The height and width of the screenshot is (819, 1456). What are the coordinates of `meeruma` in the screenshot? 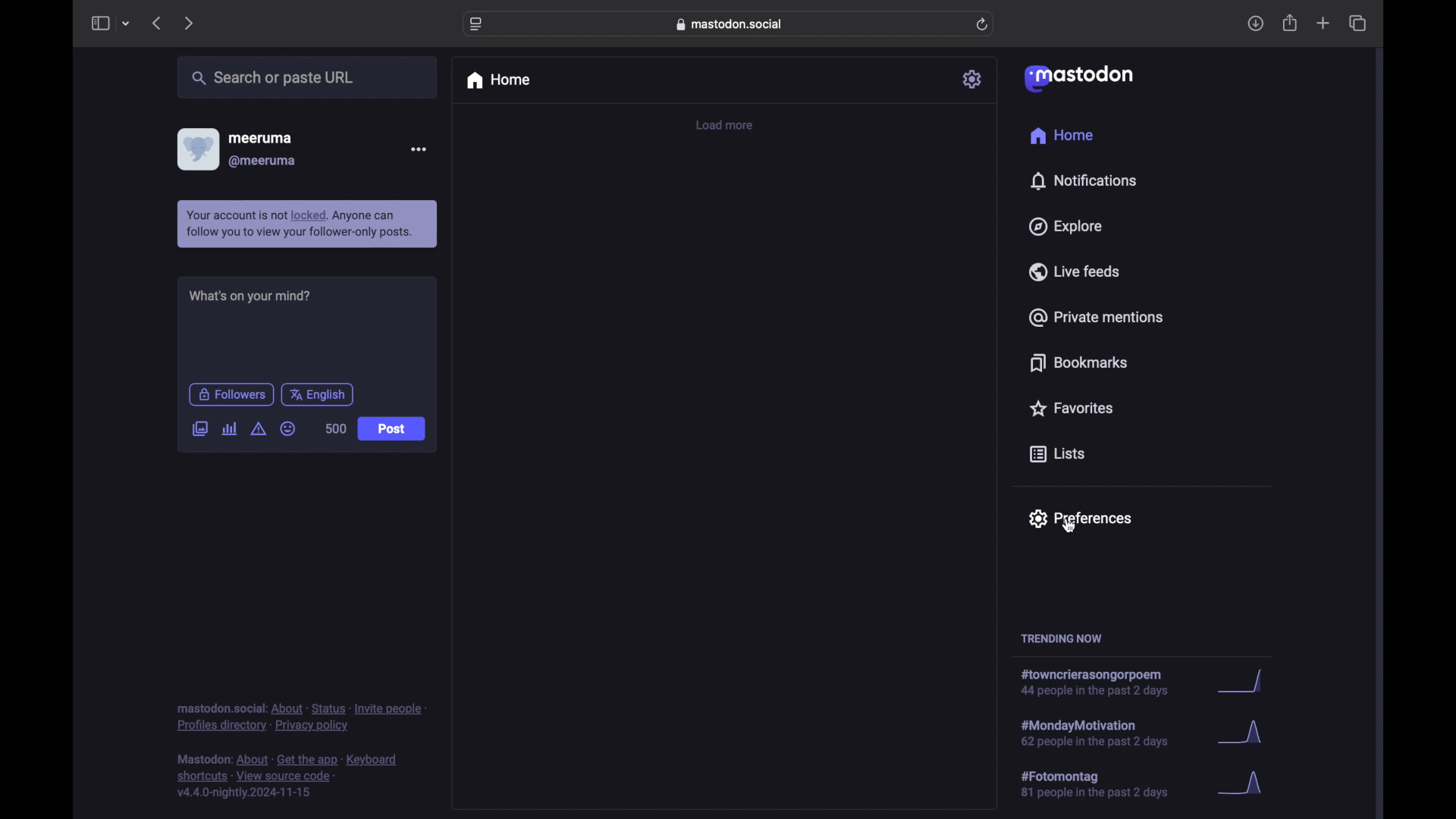 It's located at (259, 138).